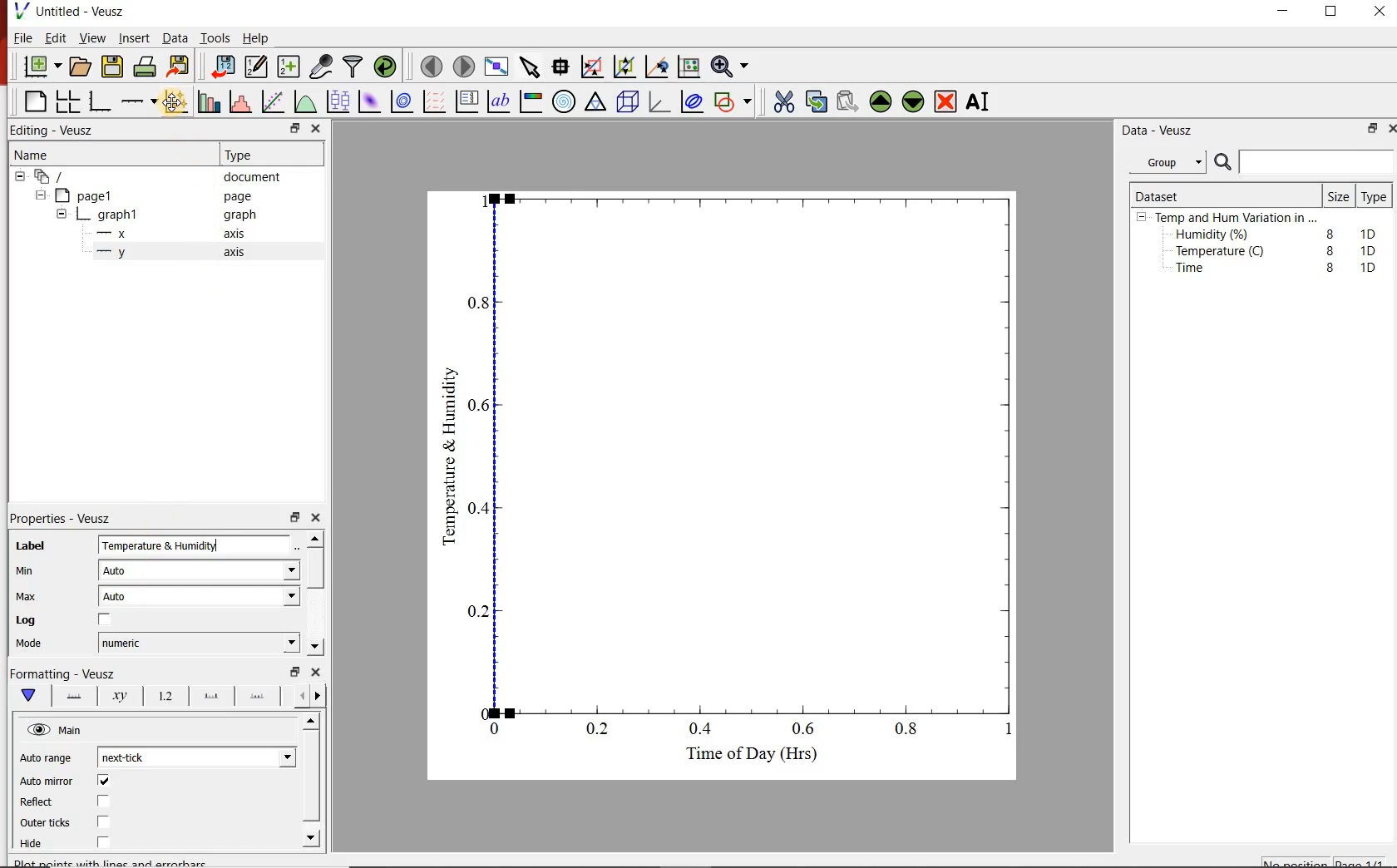  What do you see at coordinates (126, 256) in the screenshot?
I see `y` at bounding box center [126, 256].